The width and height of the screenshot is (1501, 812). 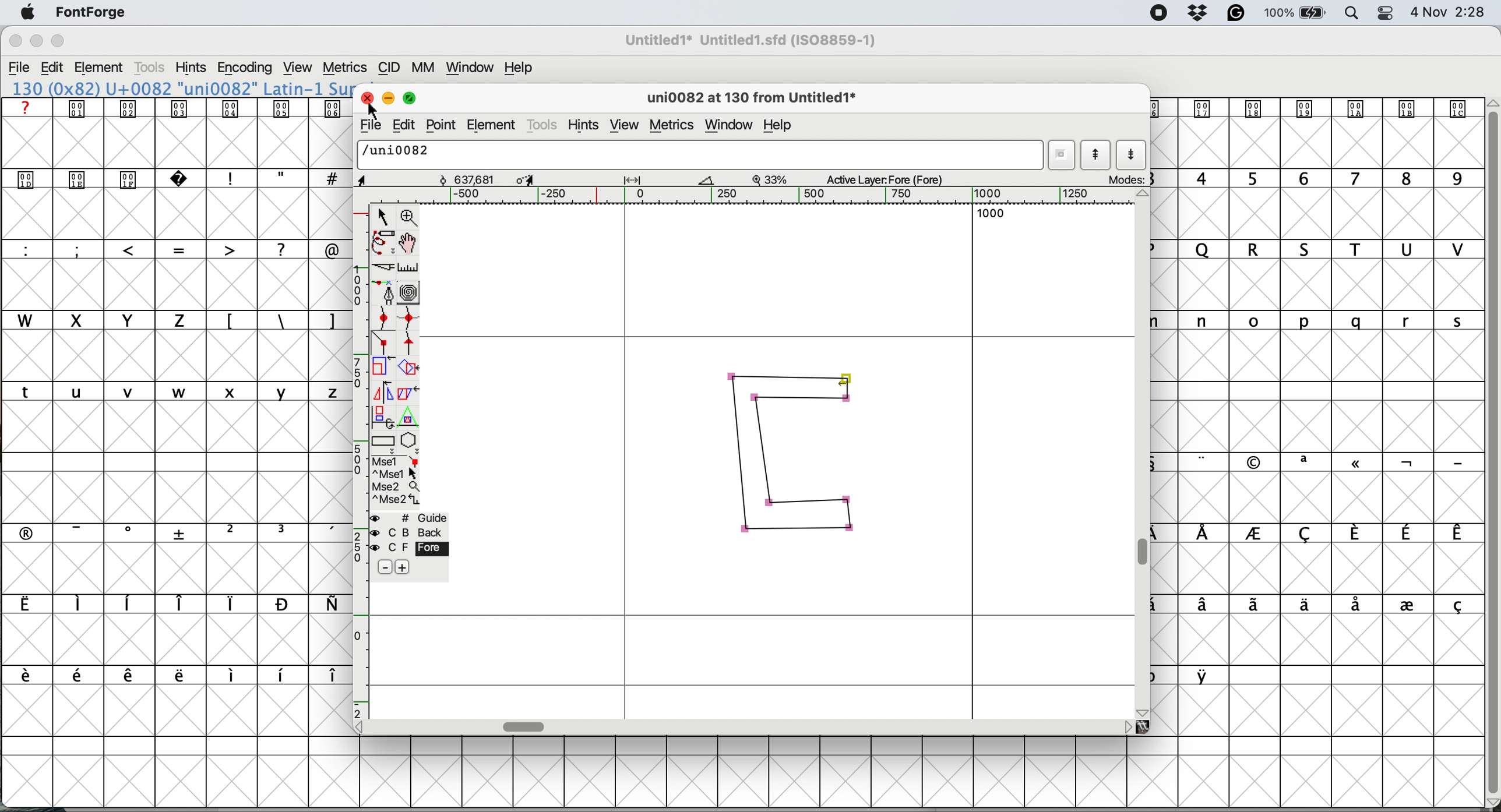 What do you see at coordinates (409, 318) in the screenshot?
I see `add a curve point horizontal or vertical` at bounding box center [409, 318].